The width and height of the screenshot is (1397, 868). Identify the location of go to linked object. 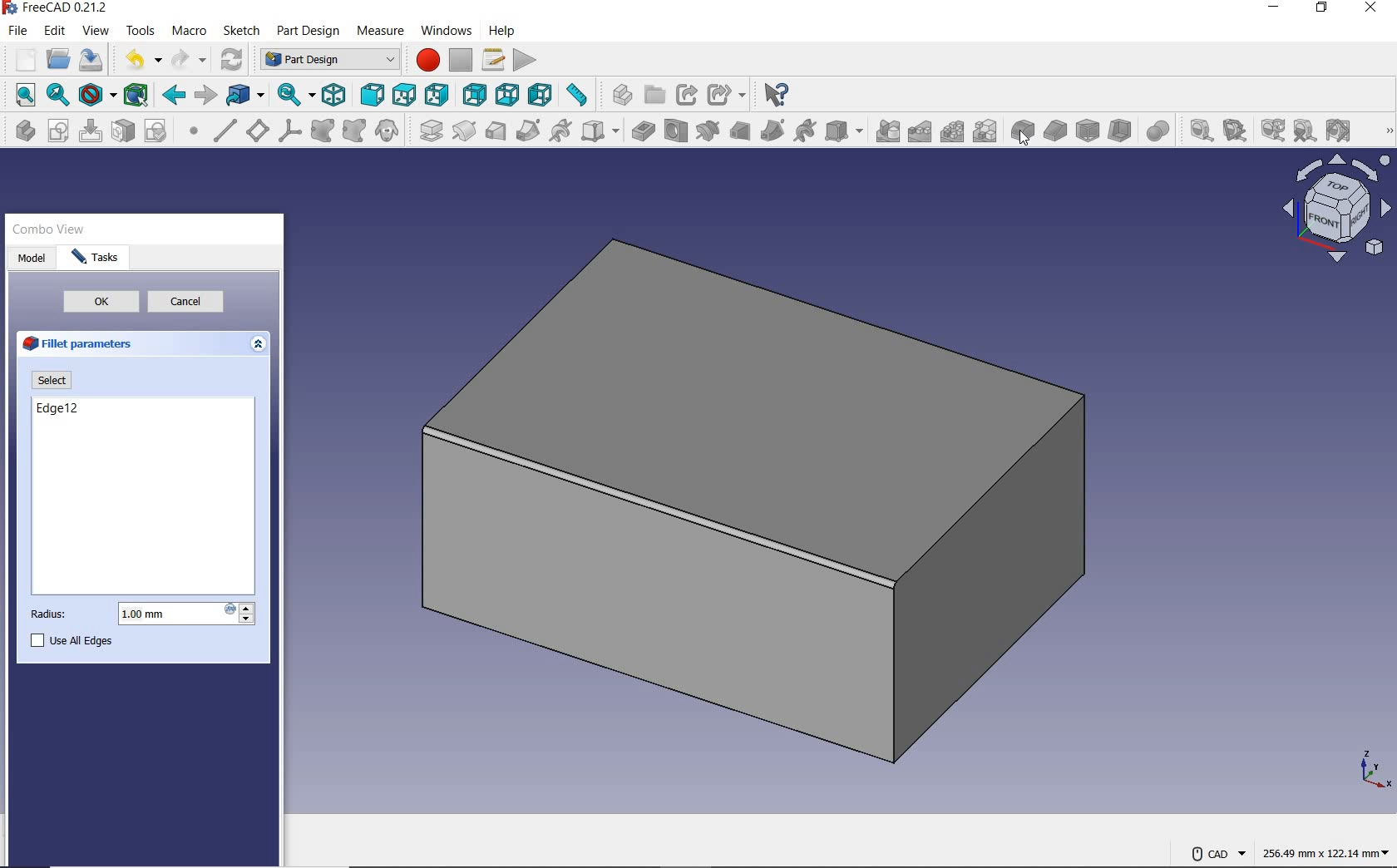
(245, 96).